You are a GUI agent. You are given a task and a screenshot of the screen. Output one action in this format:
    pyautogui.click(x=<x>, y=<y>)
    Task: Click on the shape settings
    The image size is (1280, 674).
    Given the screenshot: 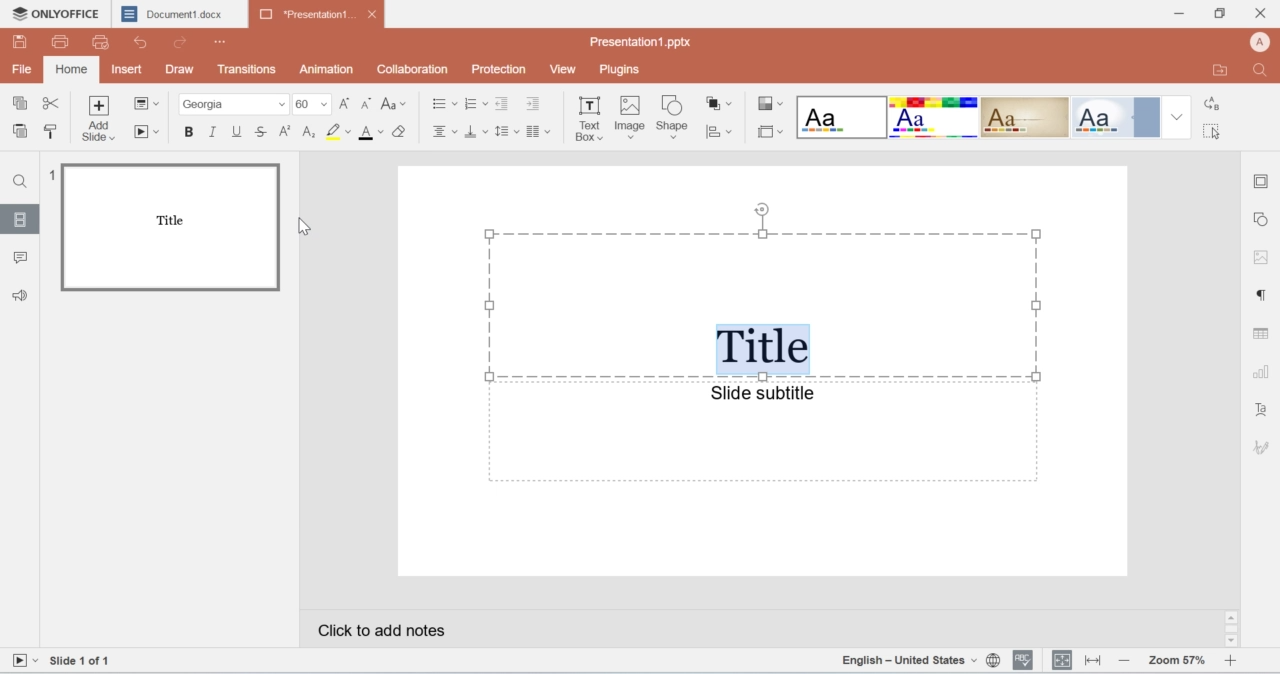 What is the action you would take?
    pyautogui.click(x=1264, y=219)
    